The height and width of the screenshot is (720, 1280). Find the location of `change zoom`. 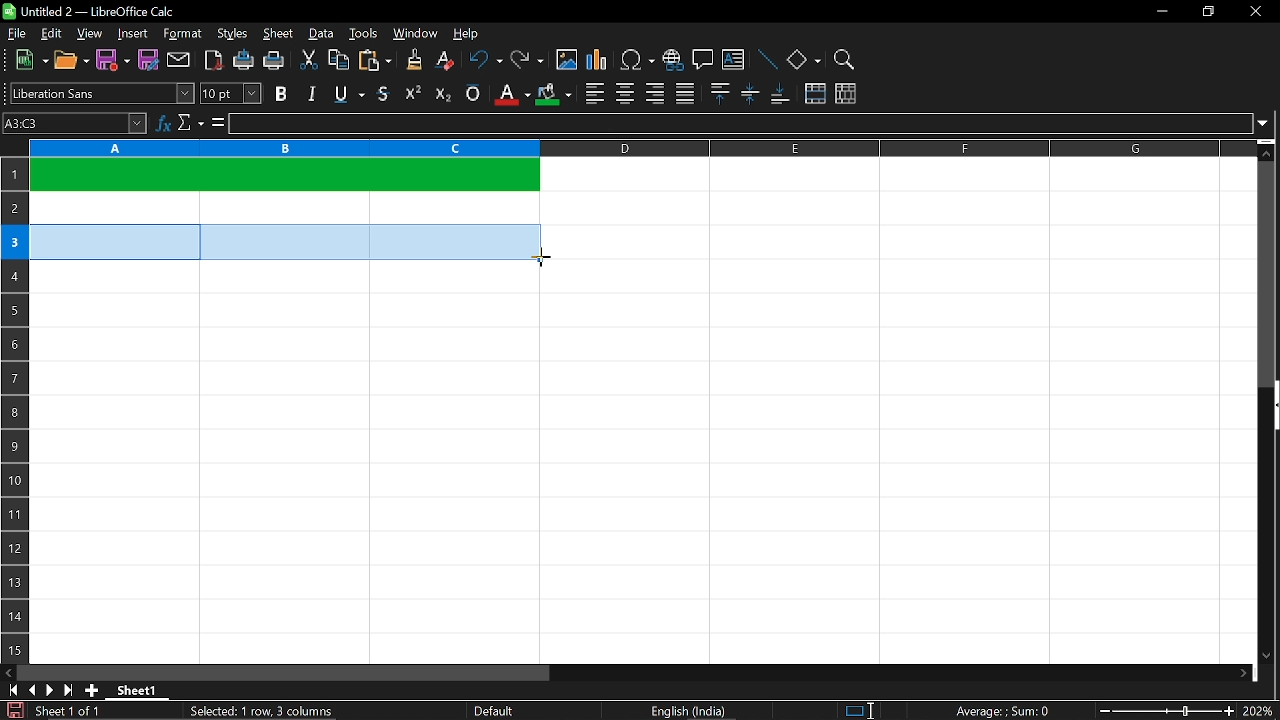

change zoom is located at coordinates (1163, 711).